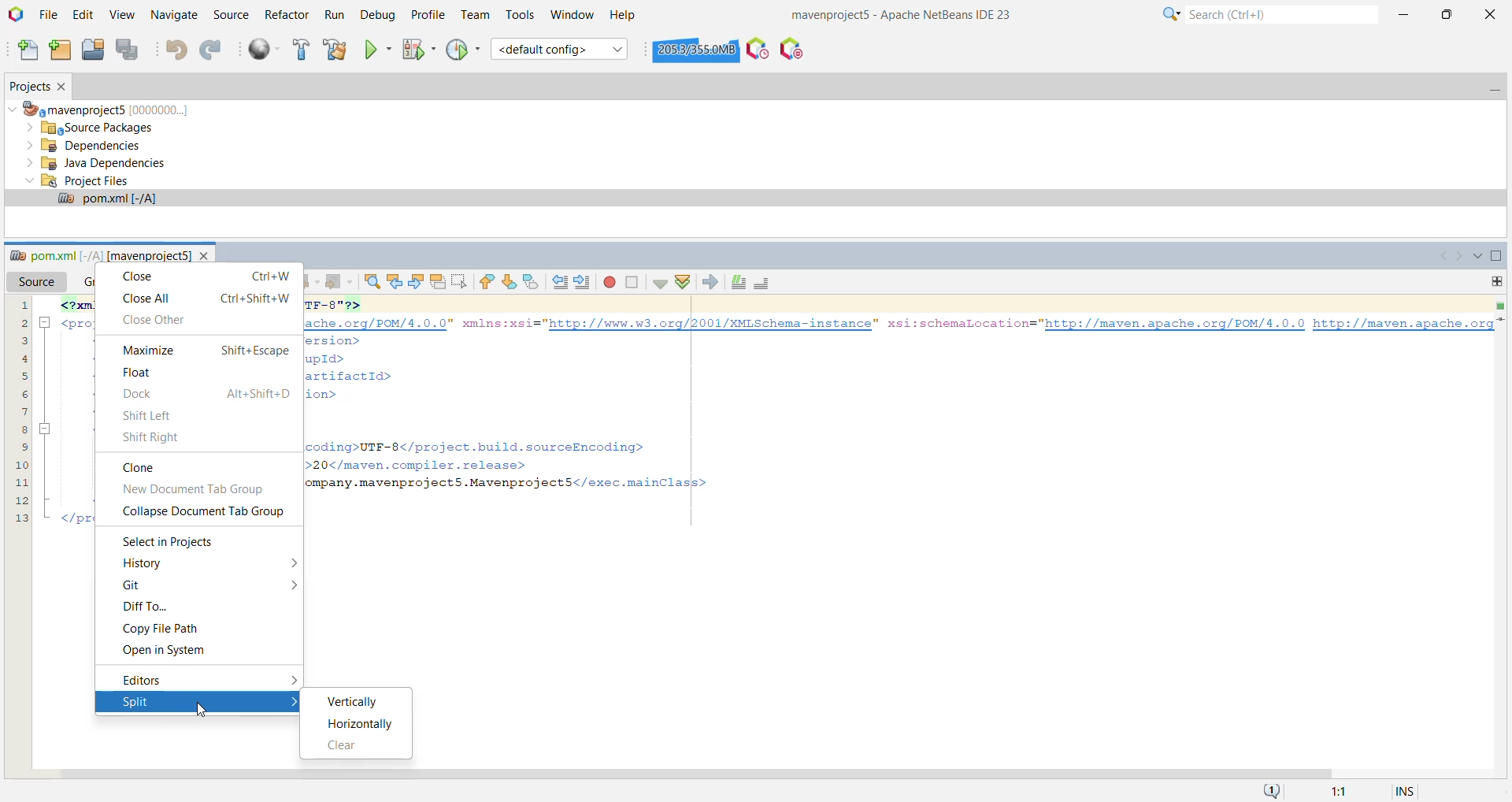  I want to click on Select in Projects, so click(172, 542).